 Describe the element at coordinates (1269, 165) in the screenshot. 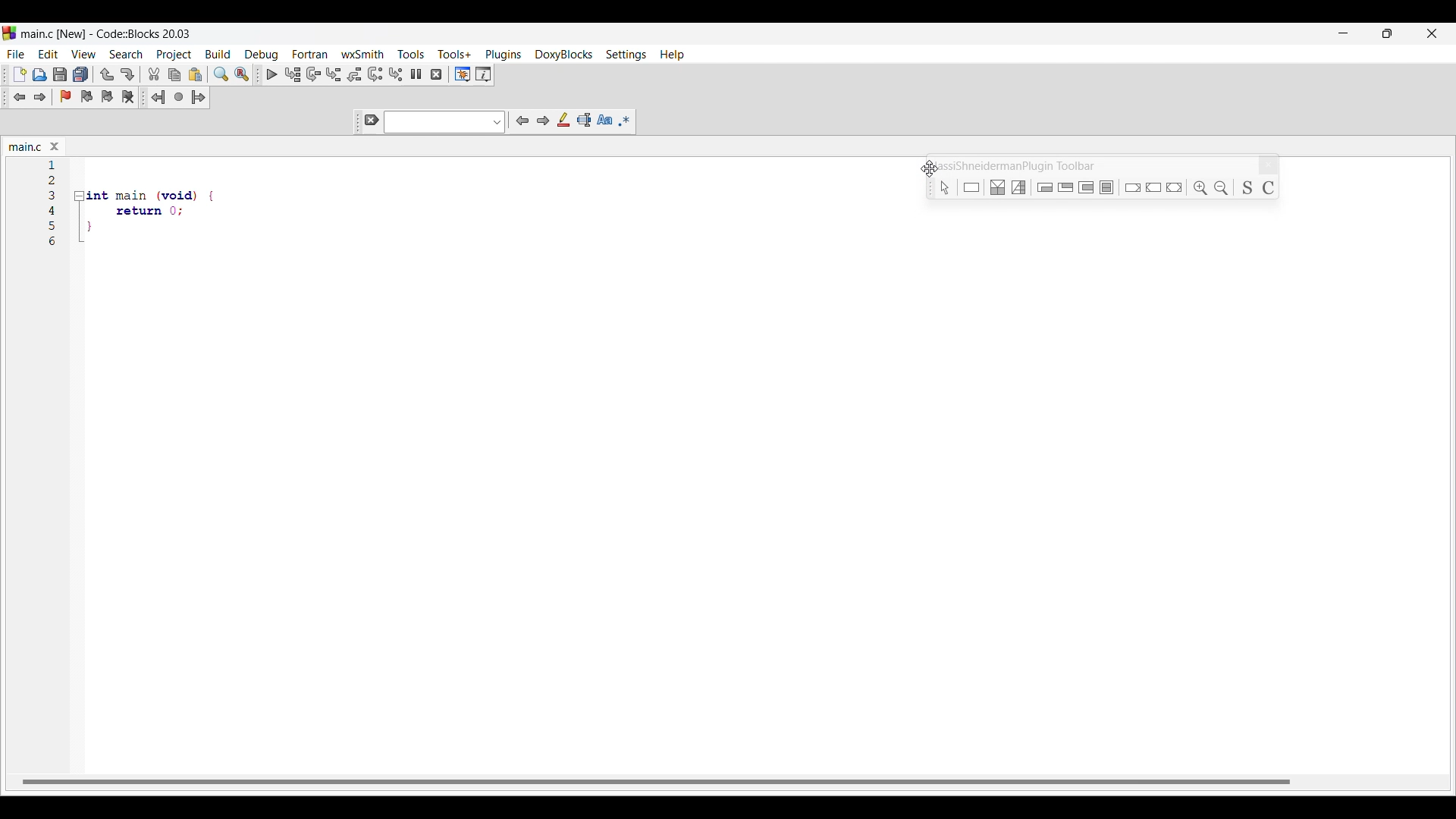

I see `Close toolbar` at that location.